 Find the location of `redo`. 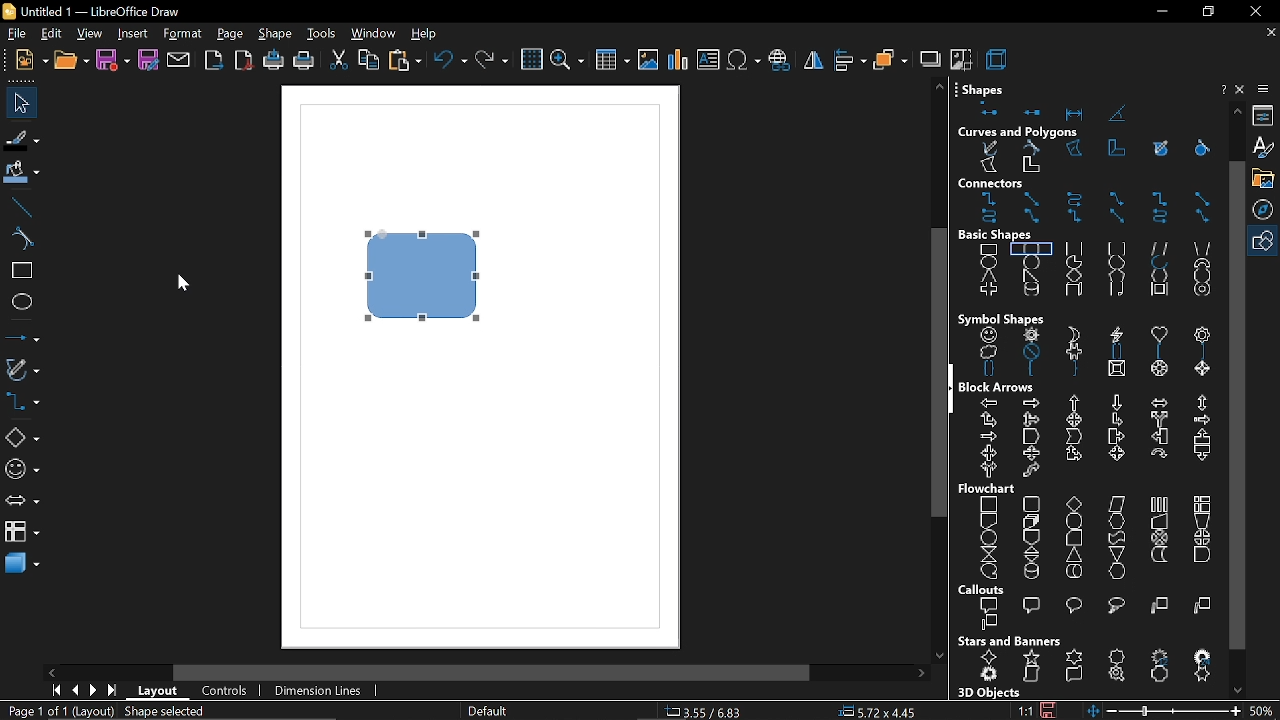

redo is located at coordinates (493, 62).